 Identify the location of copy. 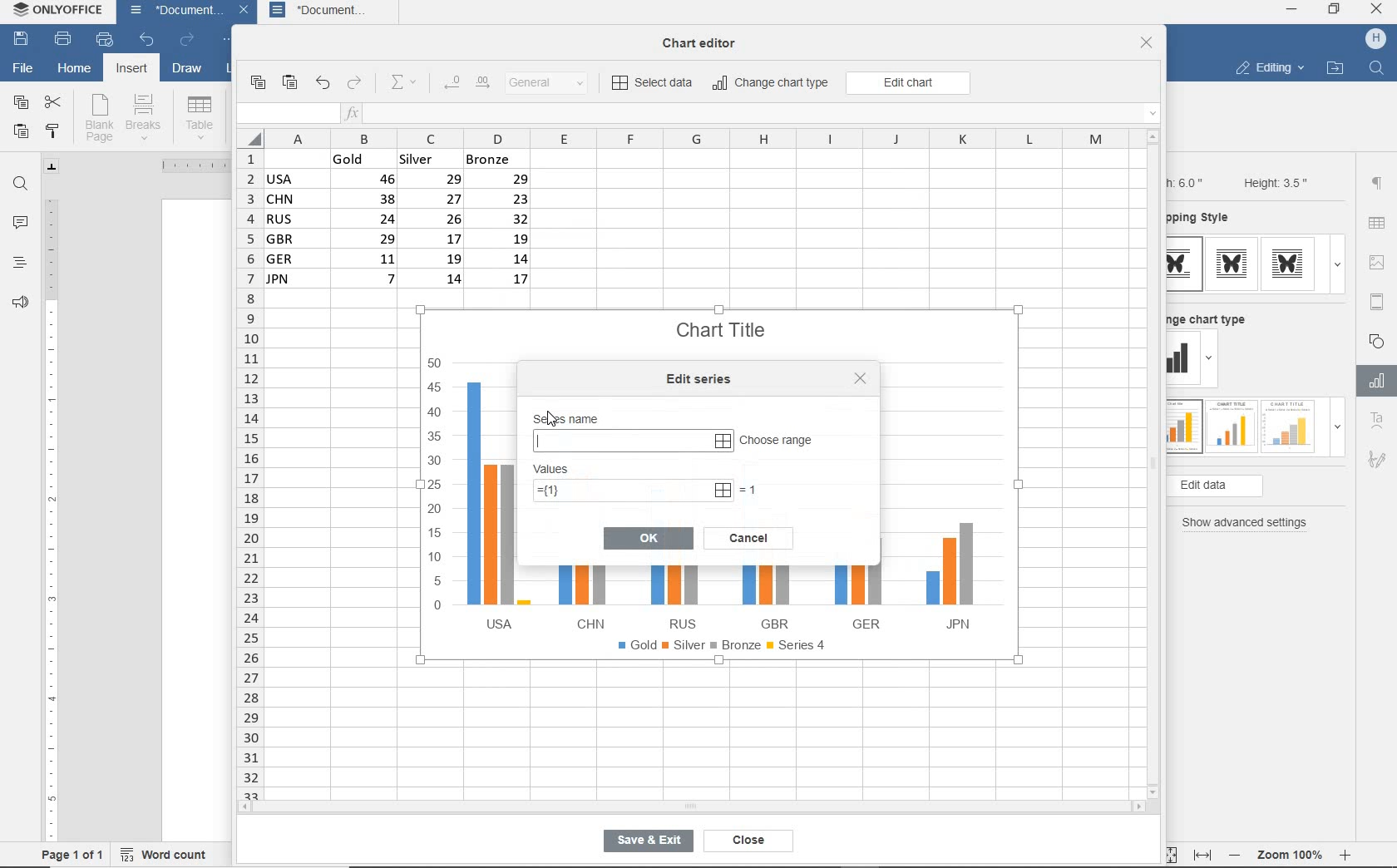
(20, 103).